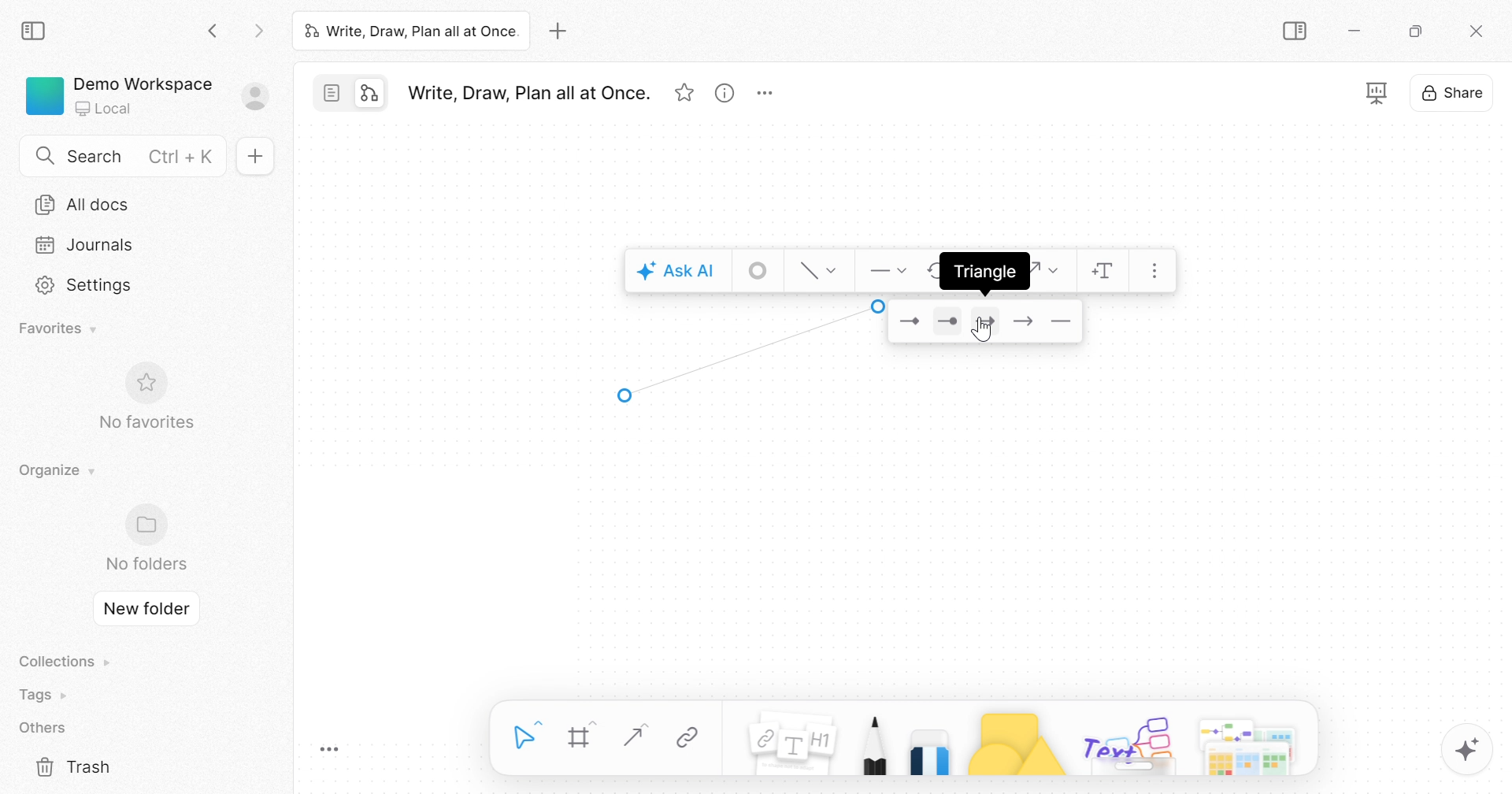 Image resolution: width=1512 pixels, height=794 pixels. What do you see at coordinates (1065, 325) in the screenshot?
I see `None` at bounding box center [1065, 325].